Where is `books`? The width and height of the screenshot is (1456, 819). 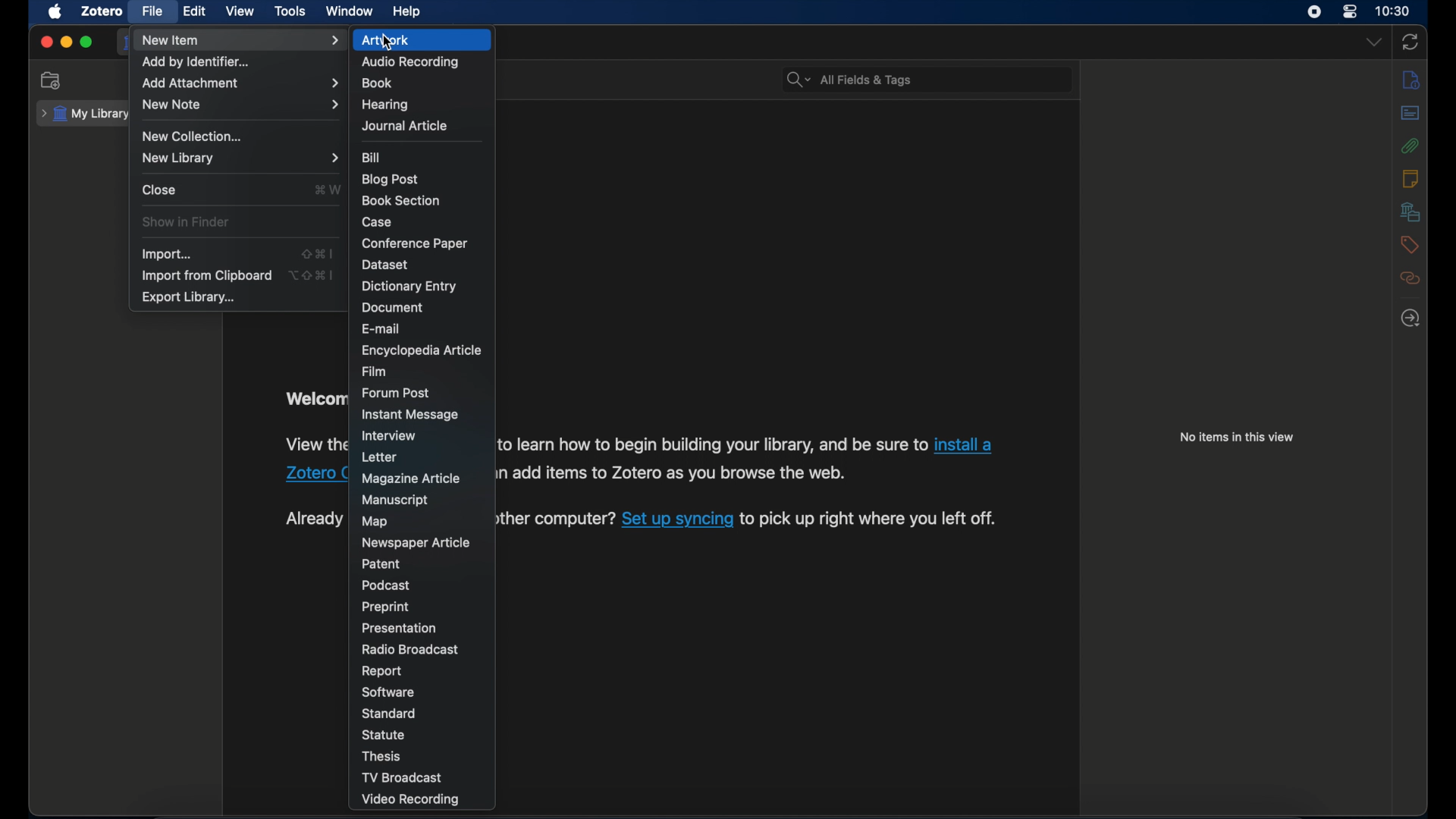 books is located at coordinates (377, 83).